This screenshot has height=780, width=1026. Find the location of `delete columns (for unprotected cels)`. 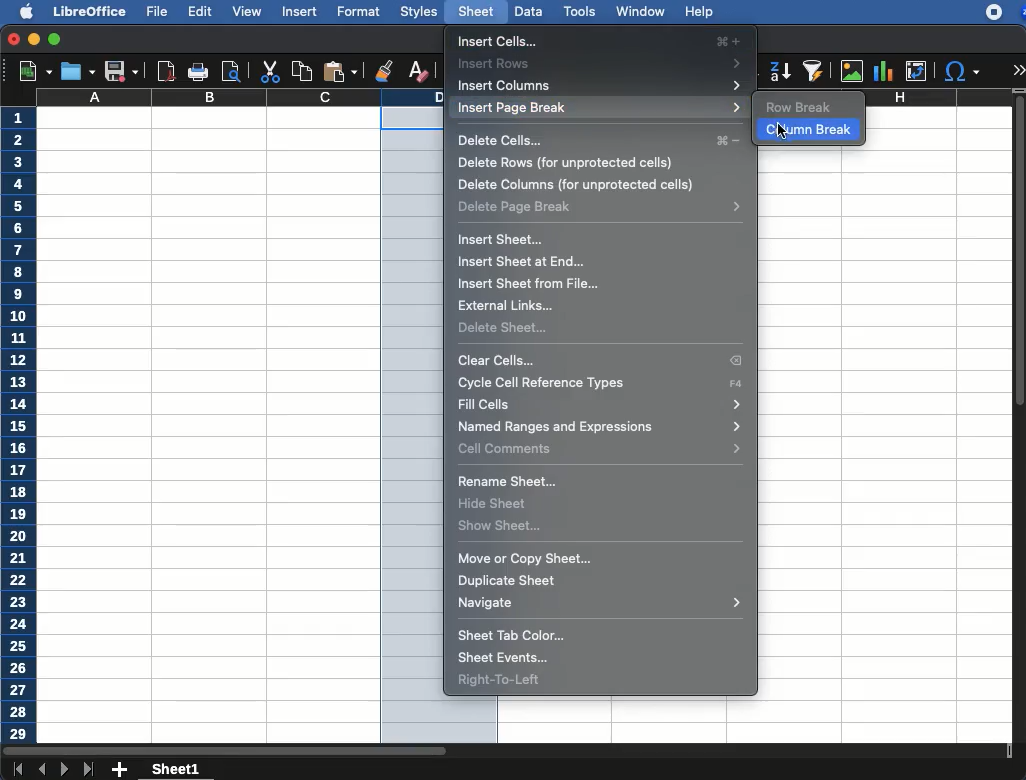

delete columns (for unprotected cels) is located at coordinates (585, 186).